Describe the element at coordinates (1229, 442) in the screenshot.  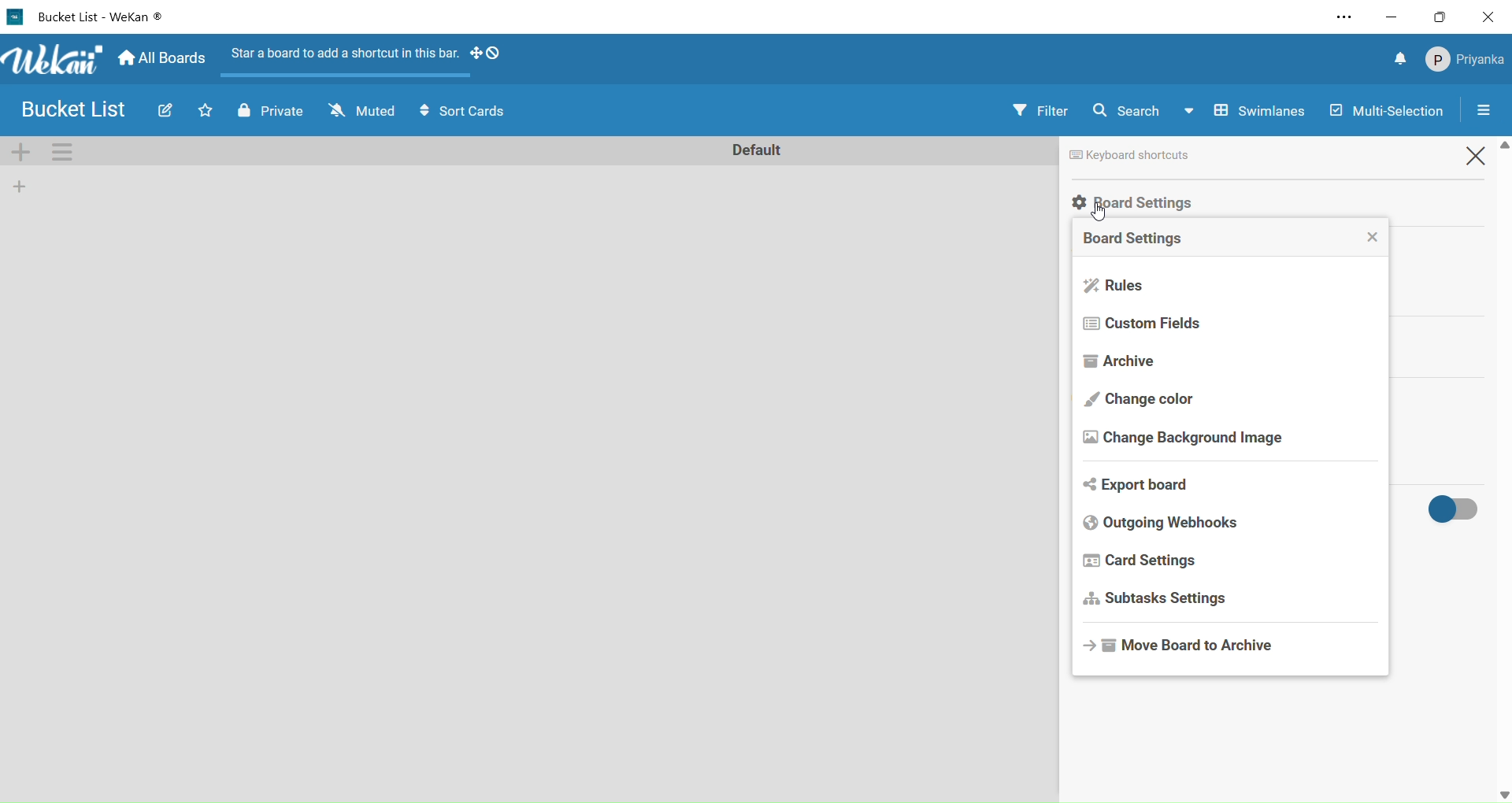
I see `change background` at that location.